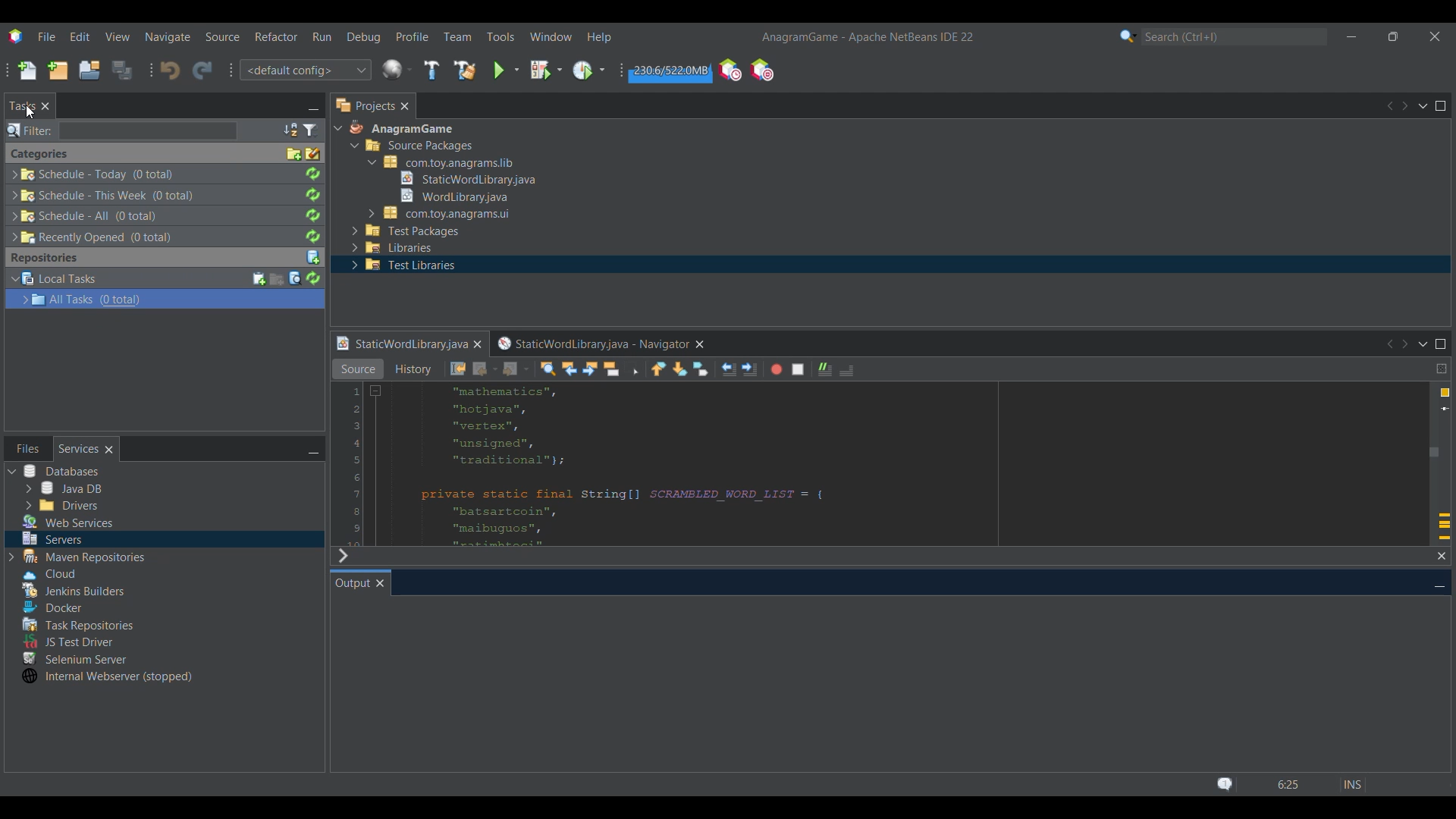  I want to click on Previous, so click(1389, 106).